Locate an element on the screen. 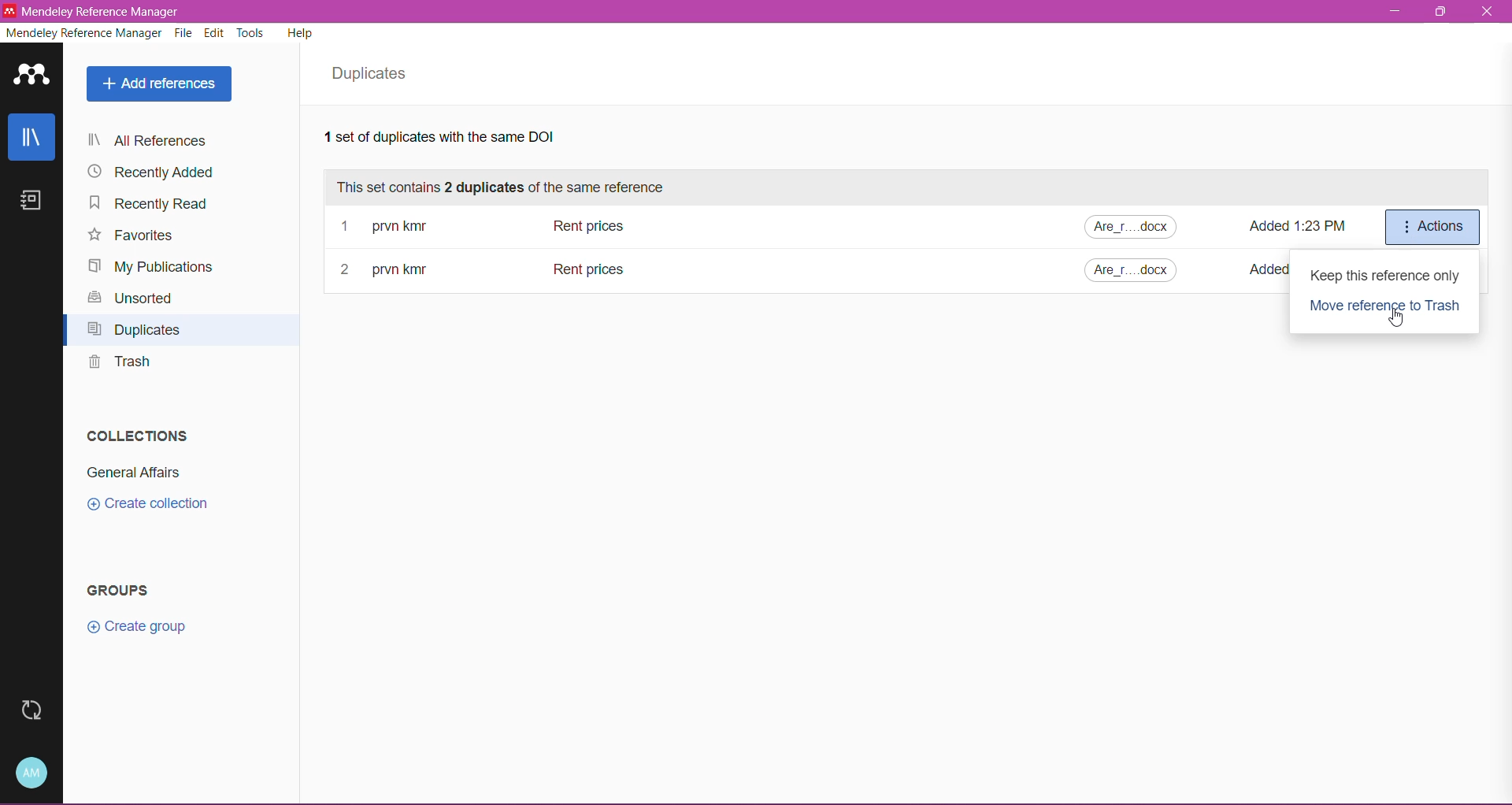 This screenshot has width=1512, height=805. item number is located at coordinates (349, 271).